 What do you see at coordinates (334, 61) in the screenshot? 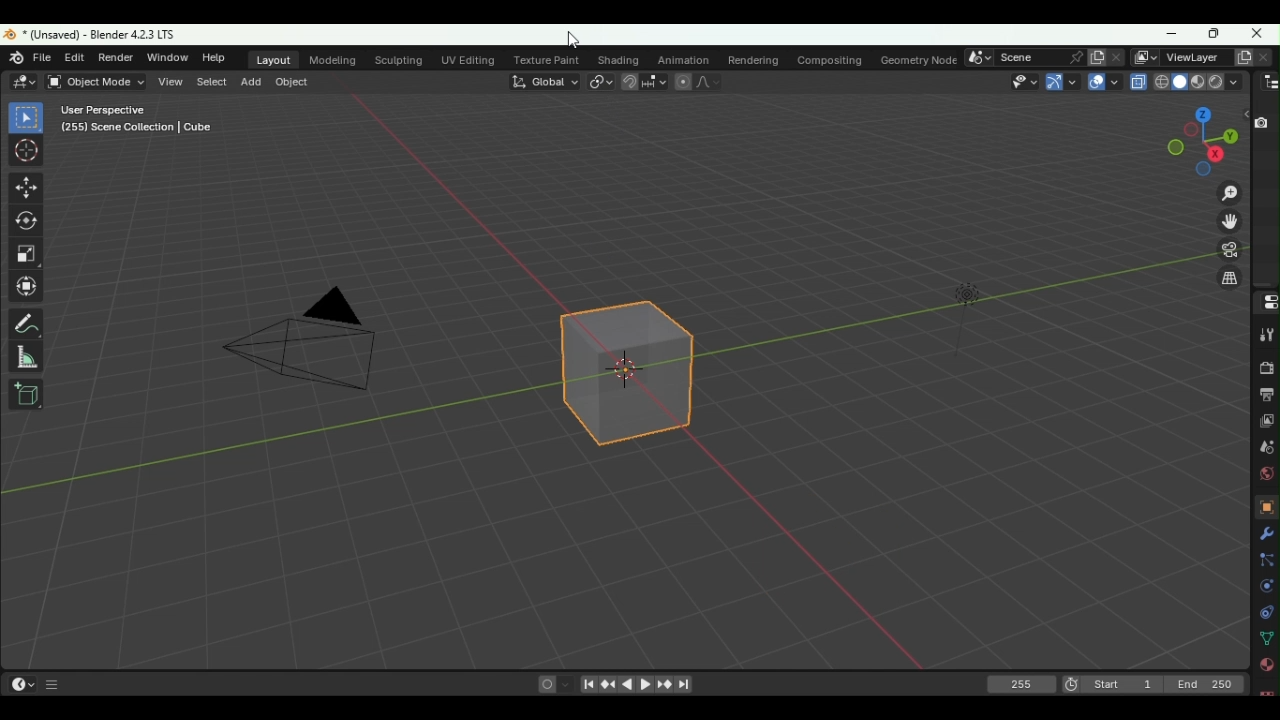
I see `Modeling` at bounding box center [334, 61].